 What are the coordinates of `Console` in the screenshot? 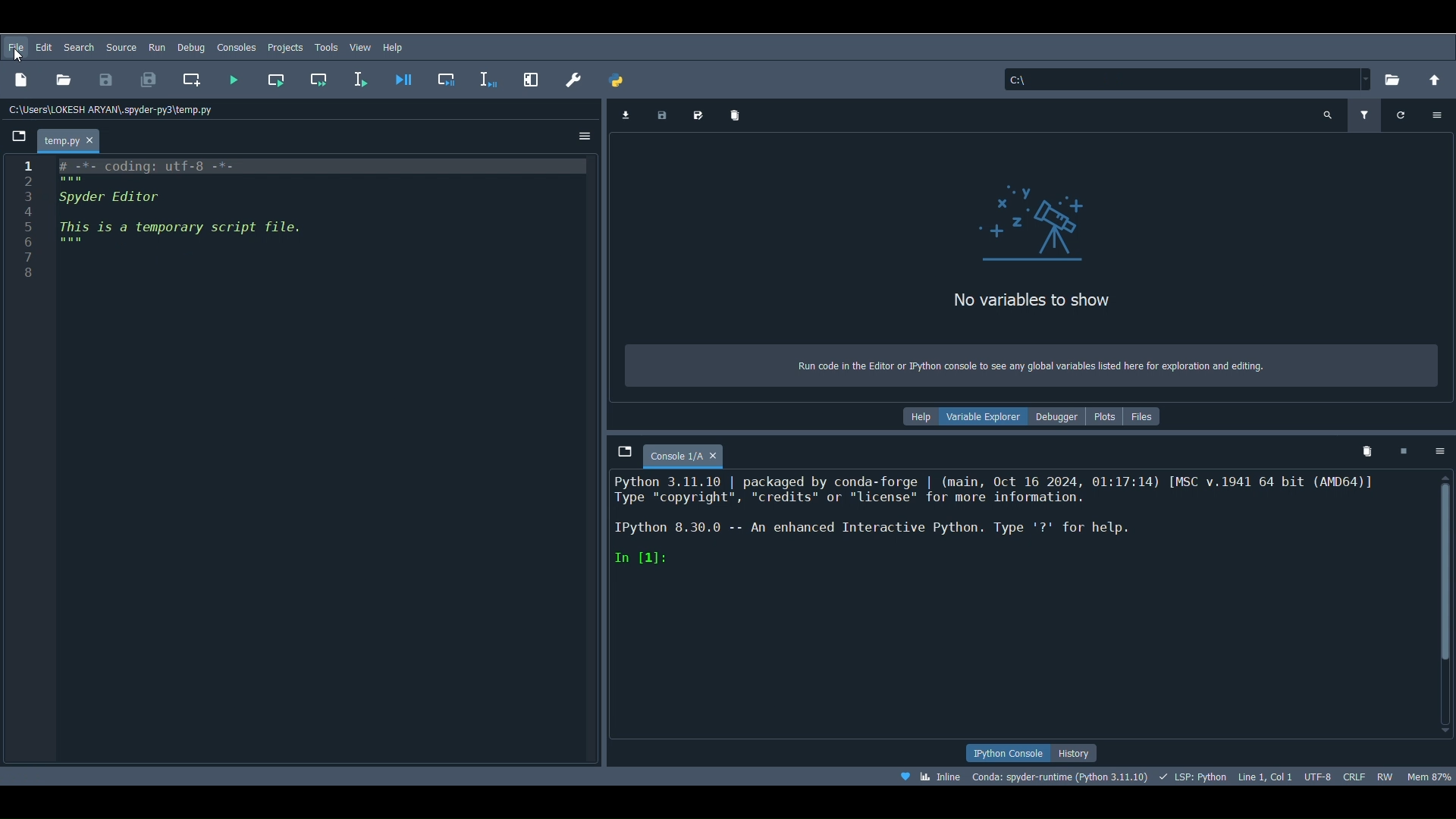 It's located at (1020, 603).